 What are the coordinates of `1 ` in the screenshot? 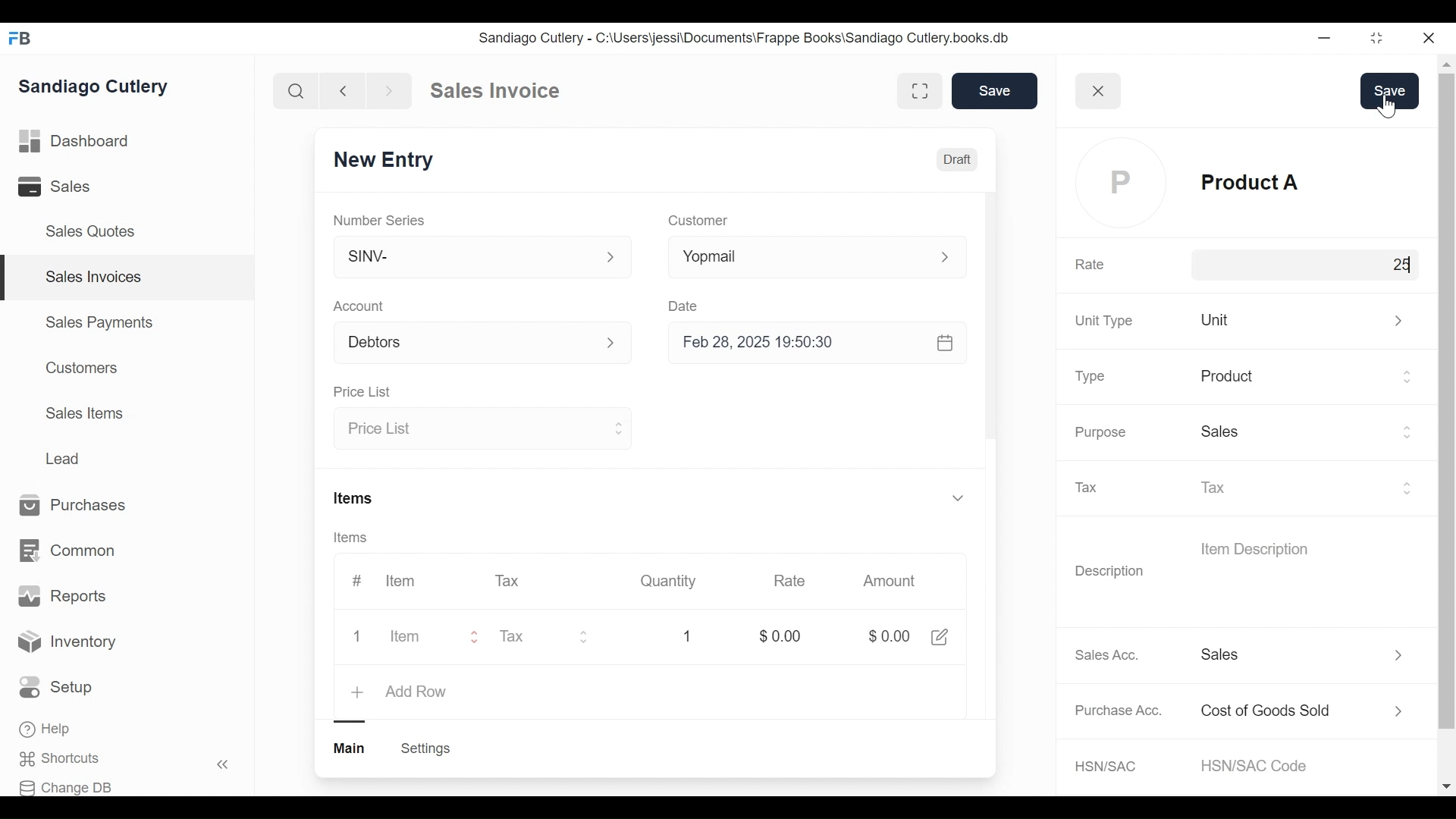 It's located at (689, 635).